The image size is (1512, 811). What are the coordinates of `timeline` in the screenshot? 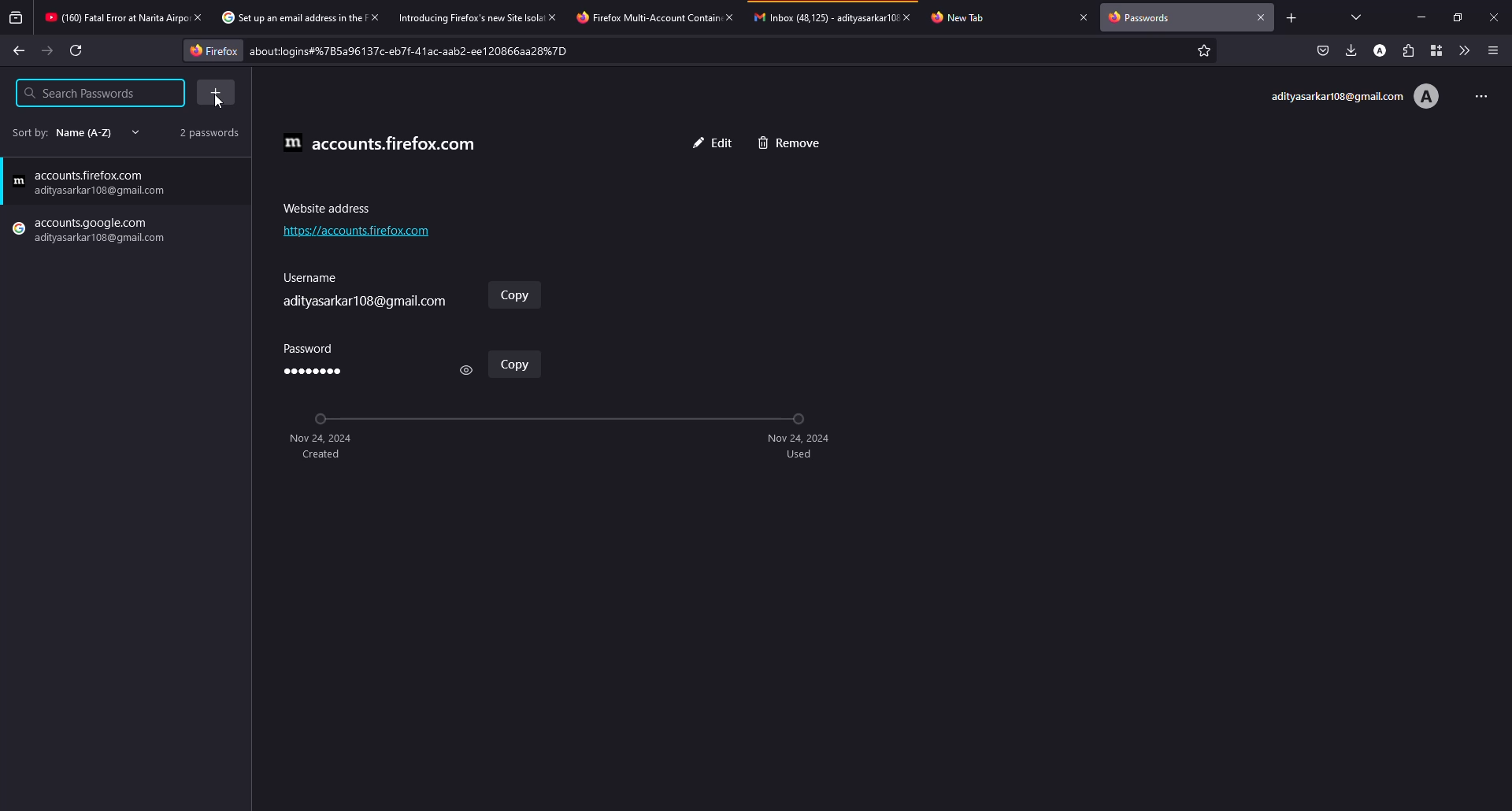 It's located at (576, 435).